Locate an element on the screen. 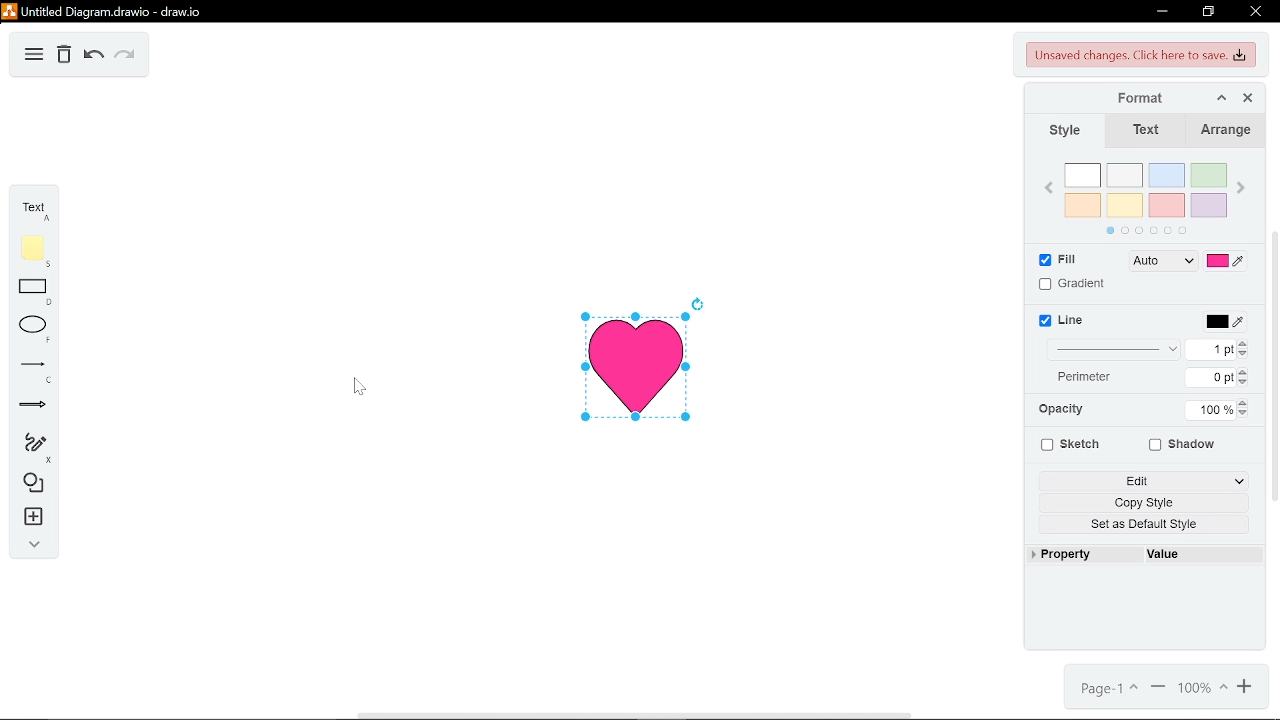  100% is located at coordinates (1212, 408).